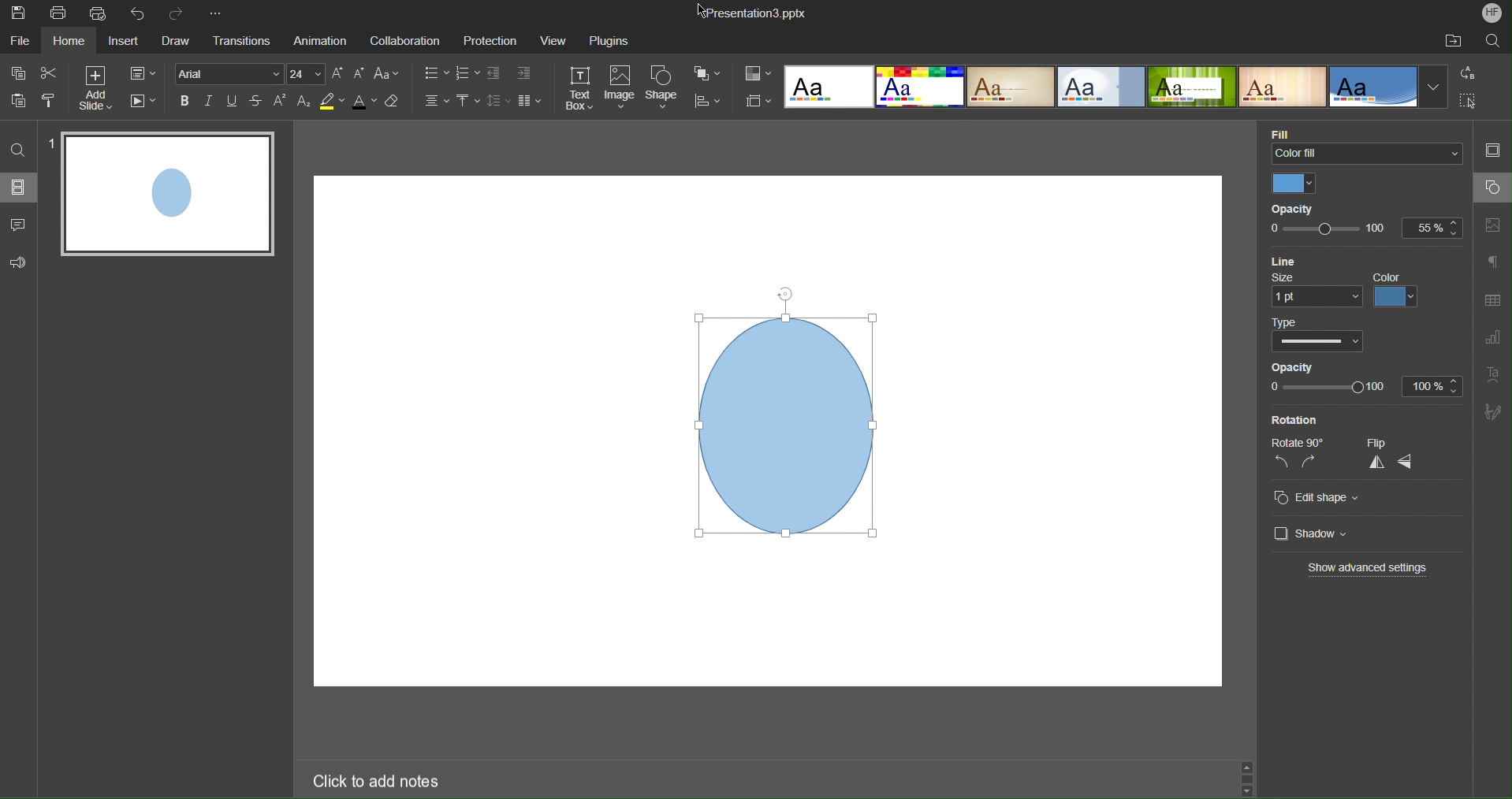 Image resolution: width=1512 pixels, height=799 pixels. I want to click on Opacity adjuster, so click(1365, 232).